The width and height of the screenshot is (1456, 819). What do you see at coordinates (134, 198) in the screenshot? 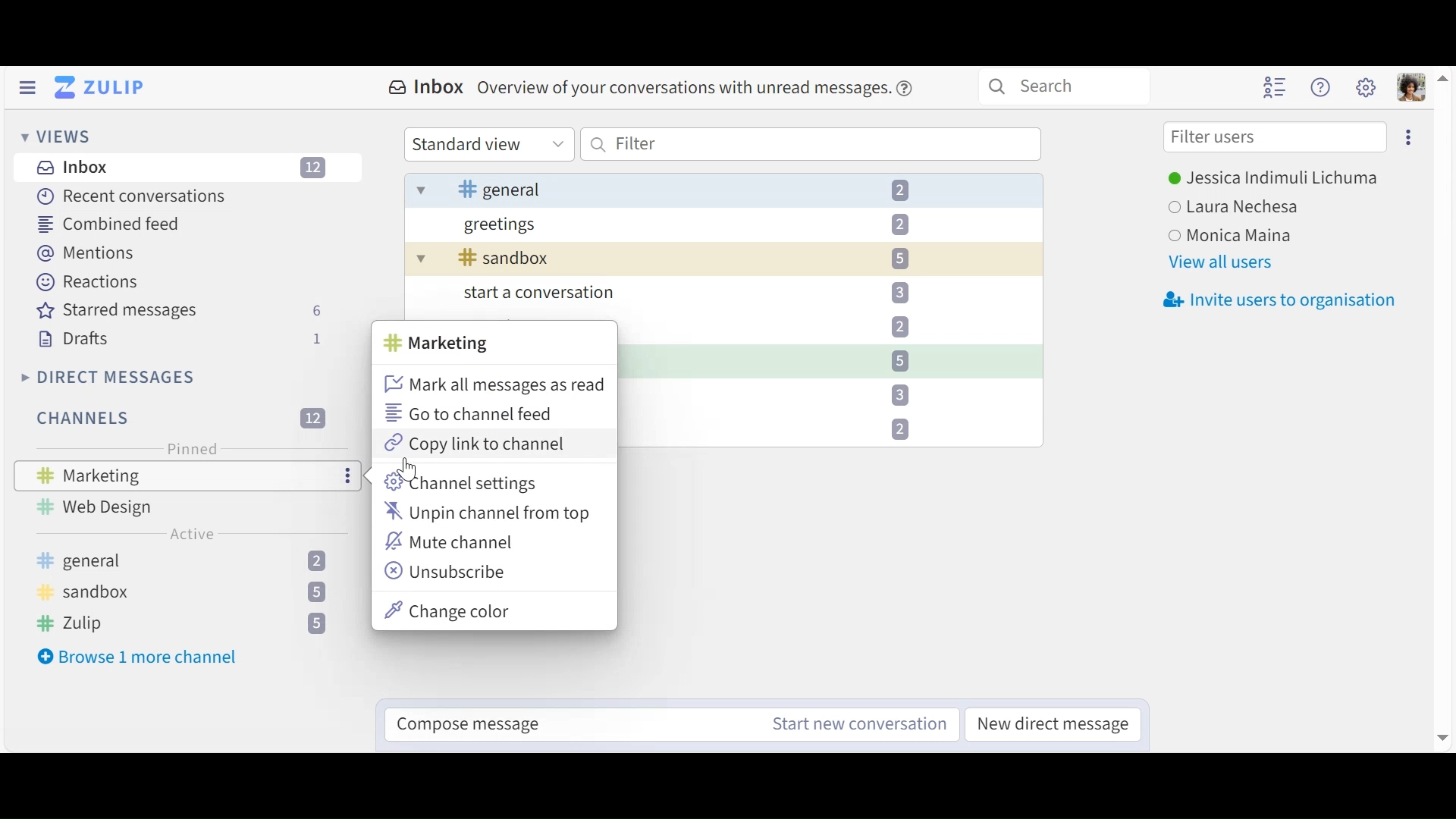
I see `Recent Conversation` at bounding box center [134, 198].